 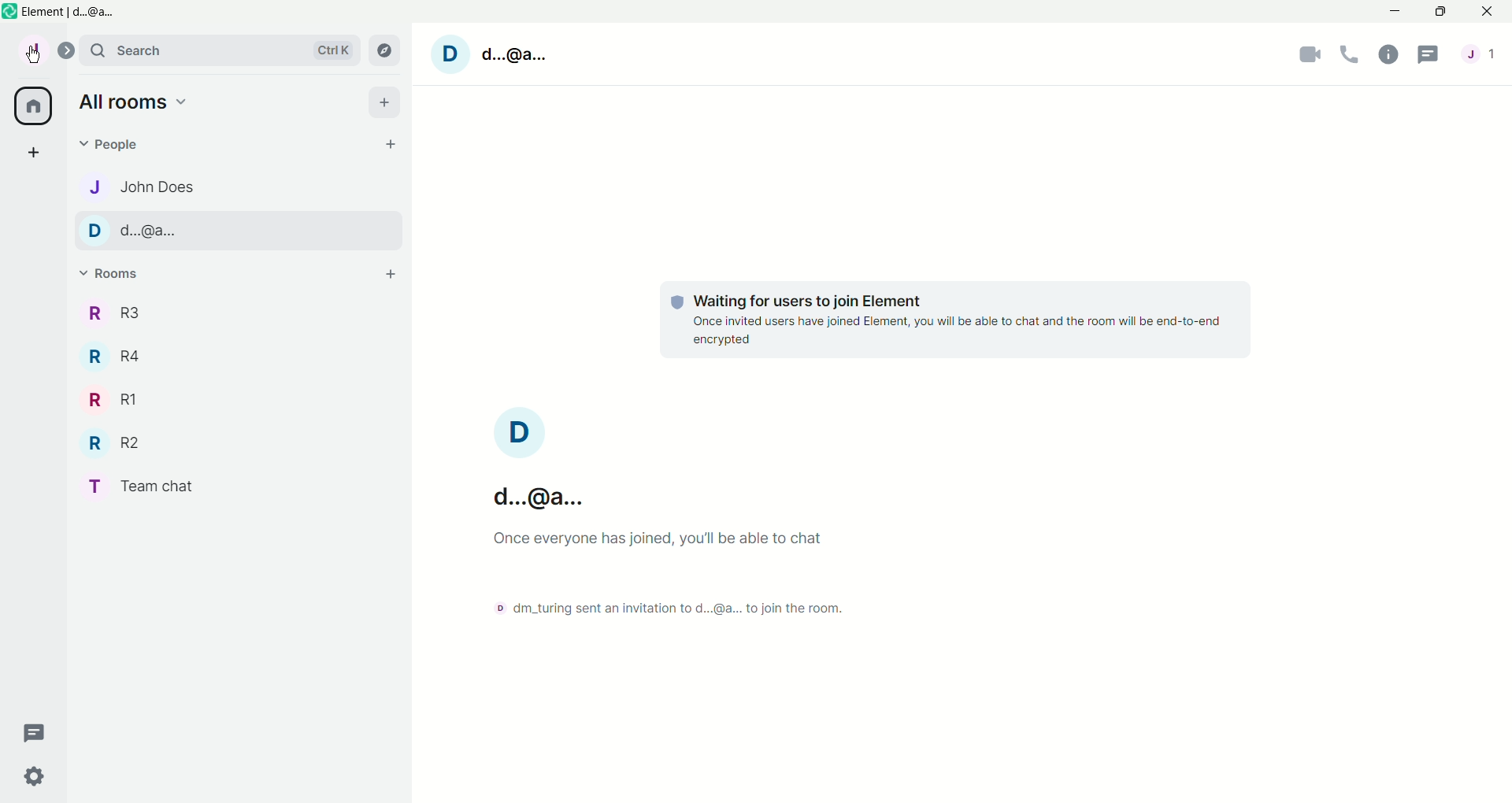 What do you see at coordinates (120, 442) in the screenshot?
I see `R2 - Room Name` at bounding box center [120, 442].